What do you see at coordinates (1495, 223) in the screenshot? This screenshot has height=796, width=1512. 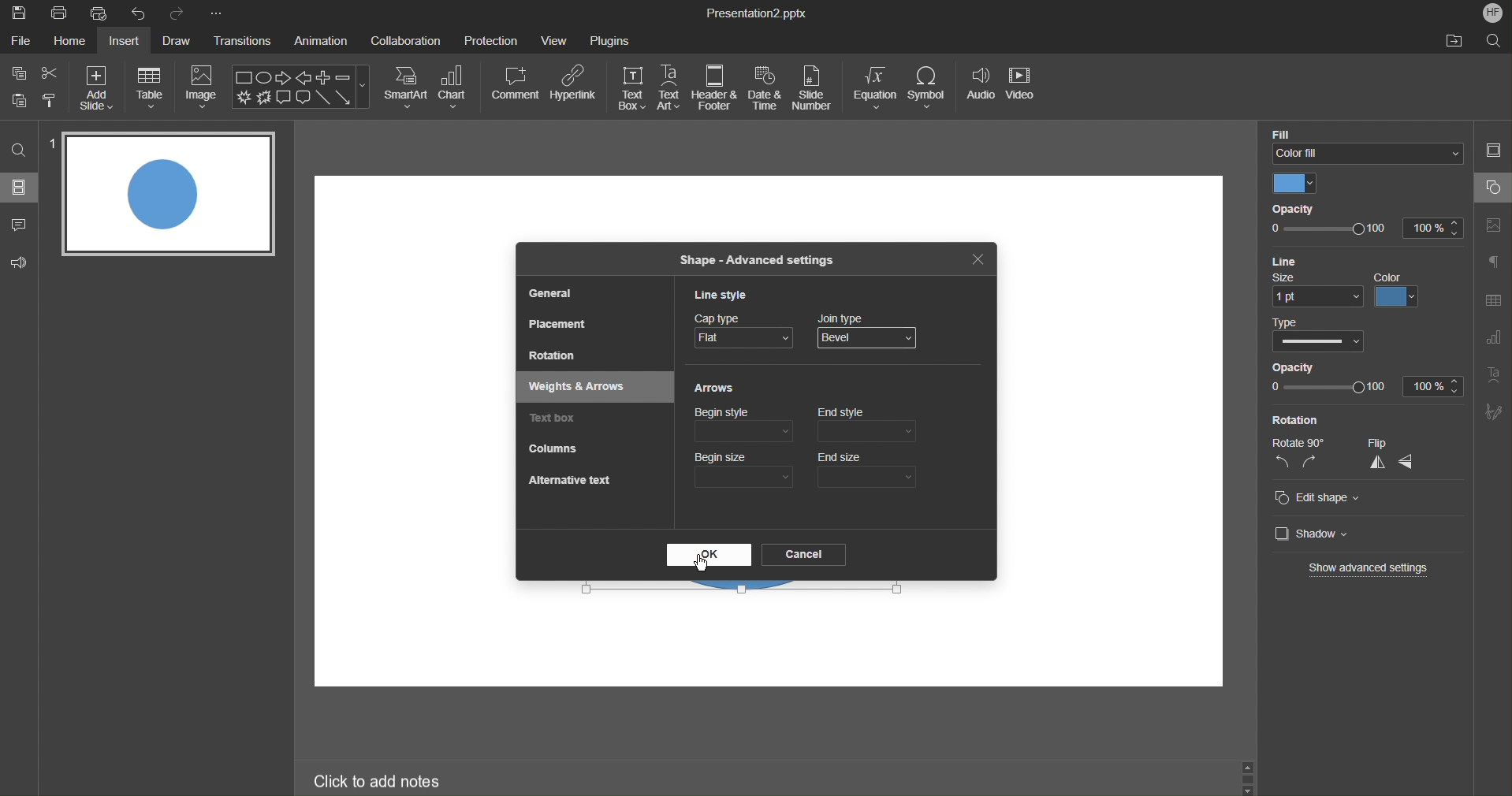 I see `Image Settings` at bounding box center [1495, 223].